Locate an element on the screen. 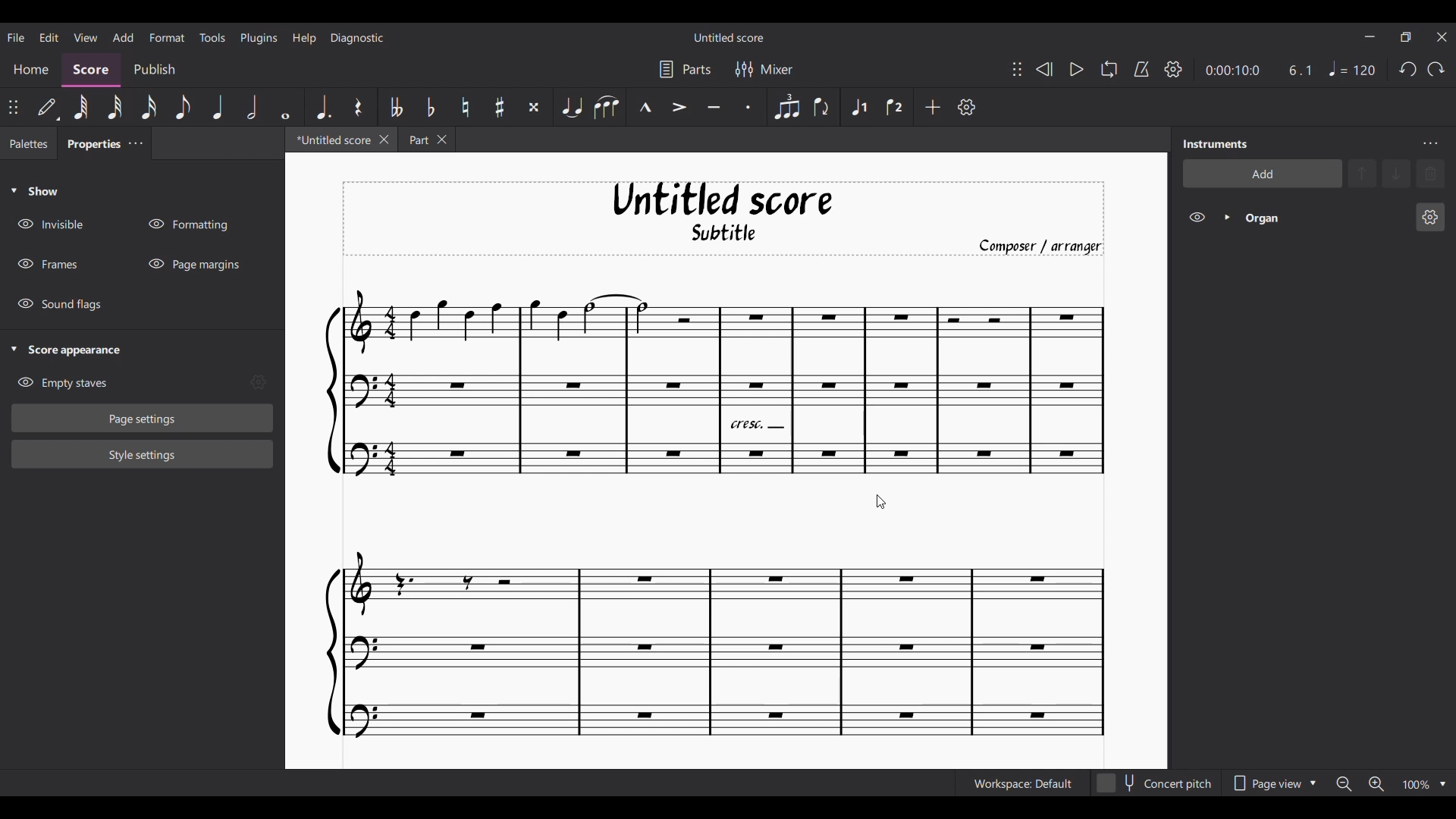 This screenshot has width=1456, height=819. Publish section is located at coordinates (153, 71).